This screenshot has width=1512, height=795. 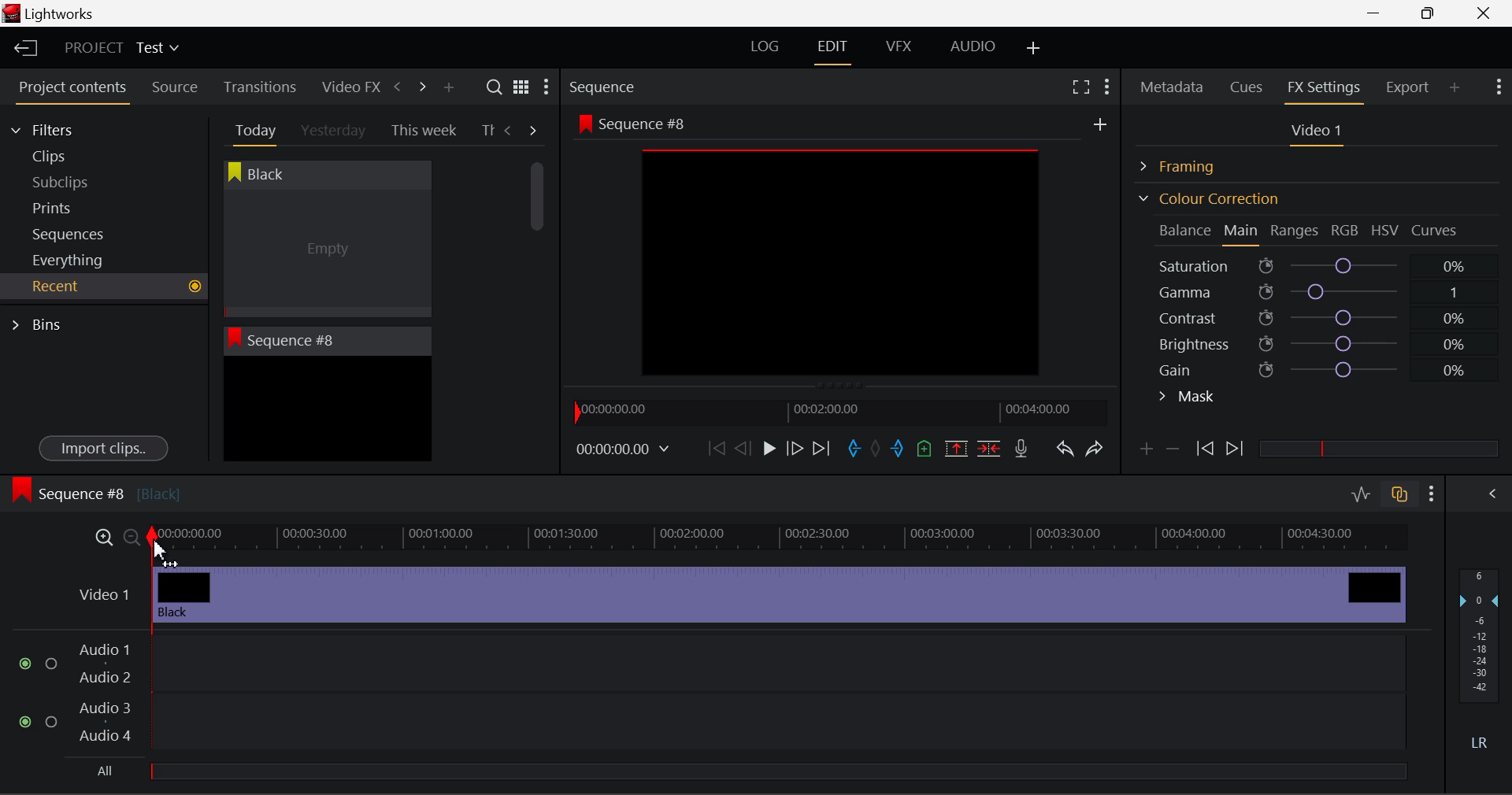 I want to click on Go Forward, so click(x=795, y=448).